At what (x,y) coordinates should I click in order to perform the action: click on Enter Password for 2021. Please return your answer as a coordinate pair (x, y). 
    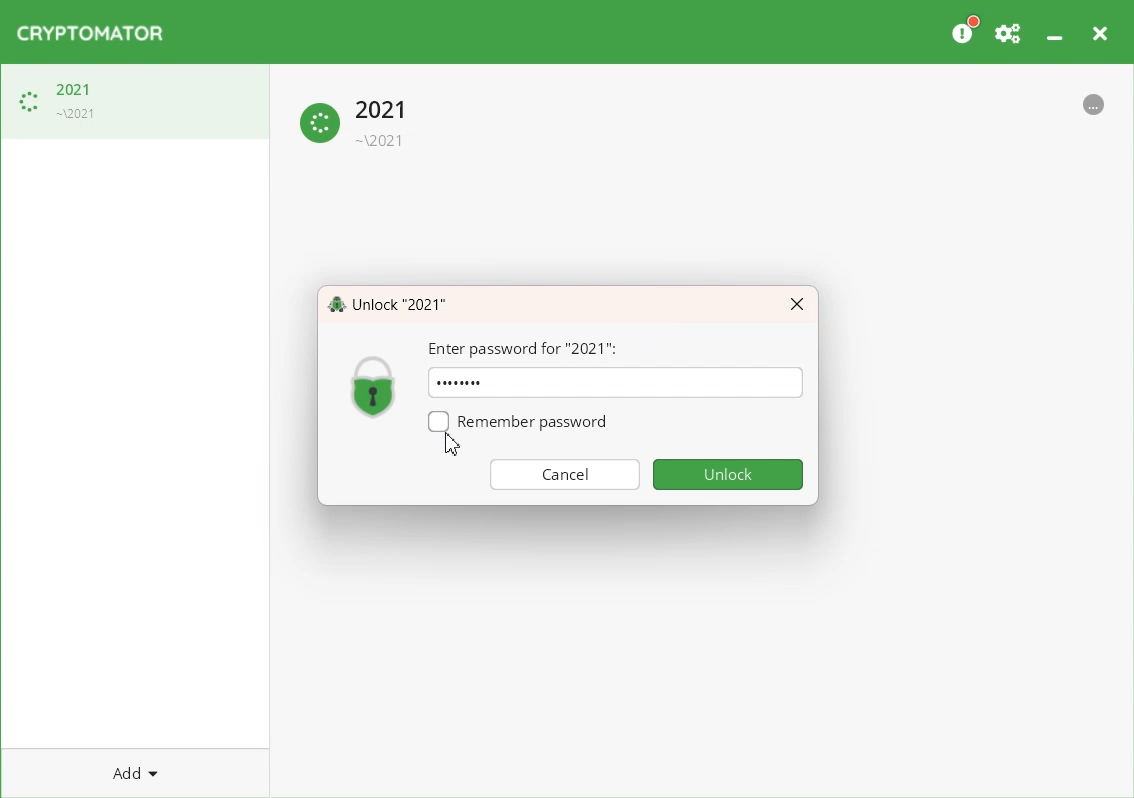
    Looking at the image, I should click on (524, 349).